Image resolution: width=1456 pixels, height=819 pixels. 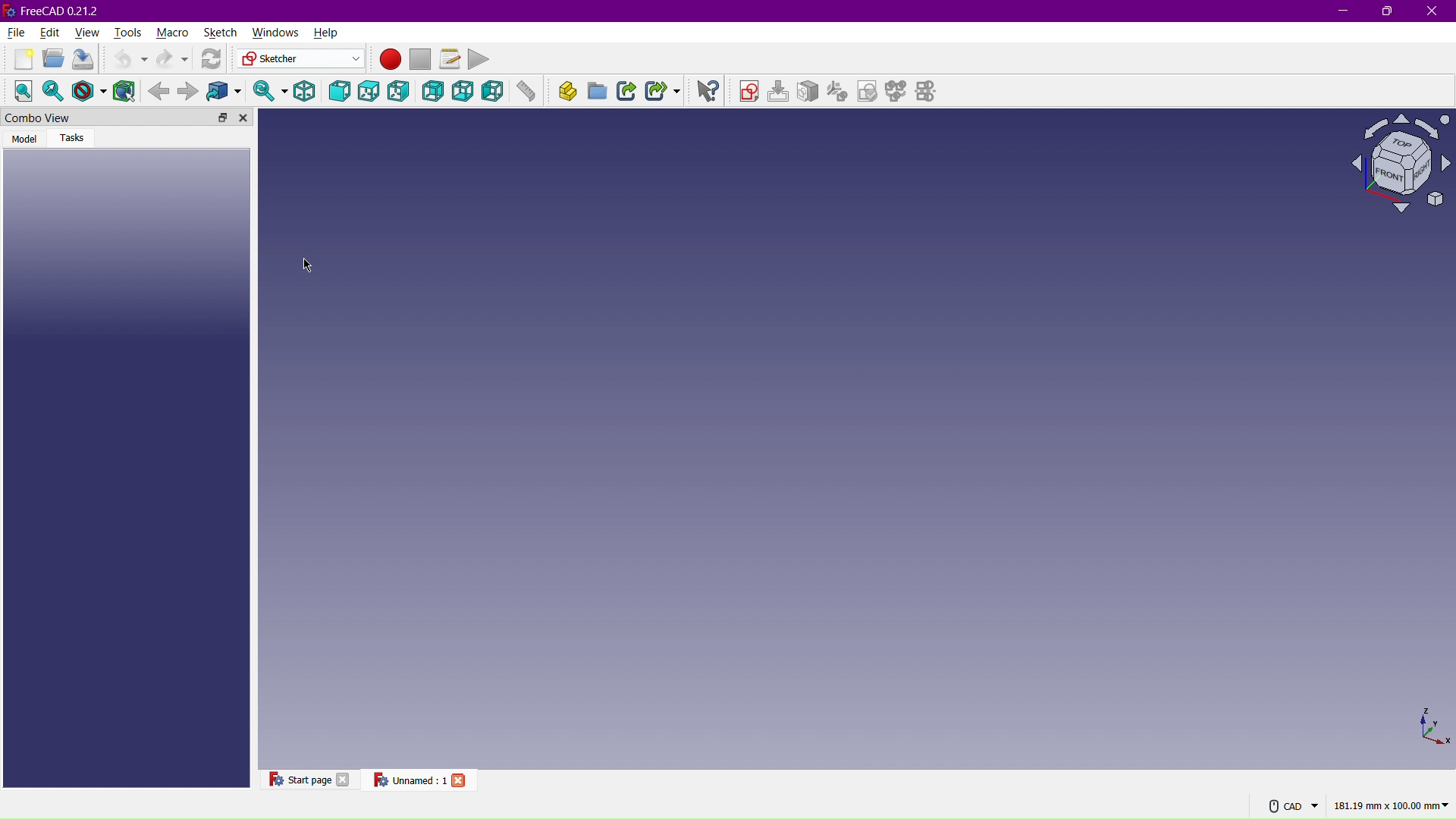 I want to click on Help, so click(x=327, y=32).